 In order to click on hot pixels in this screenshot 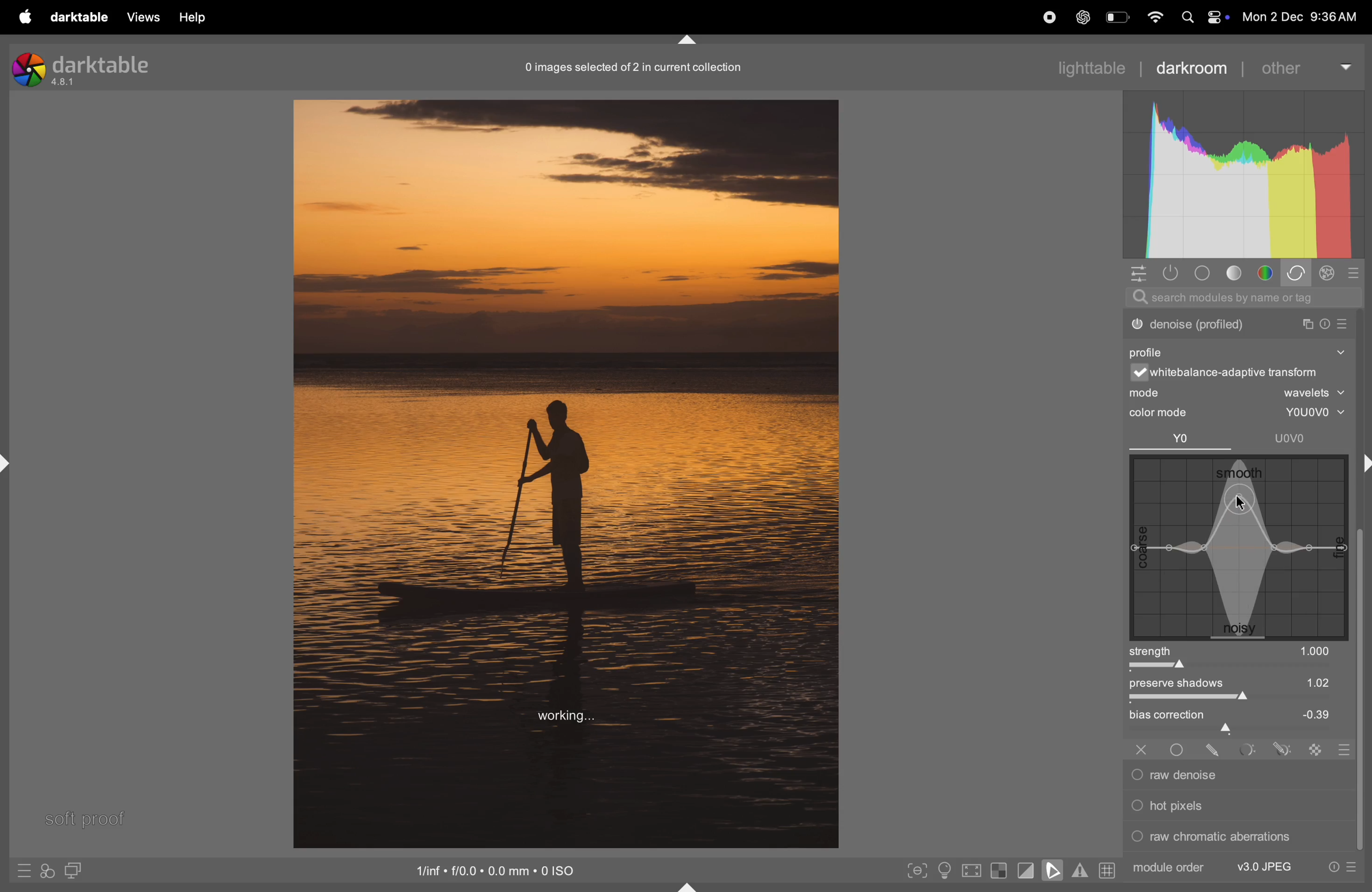, I will do `click(1235, 804)`.